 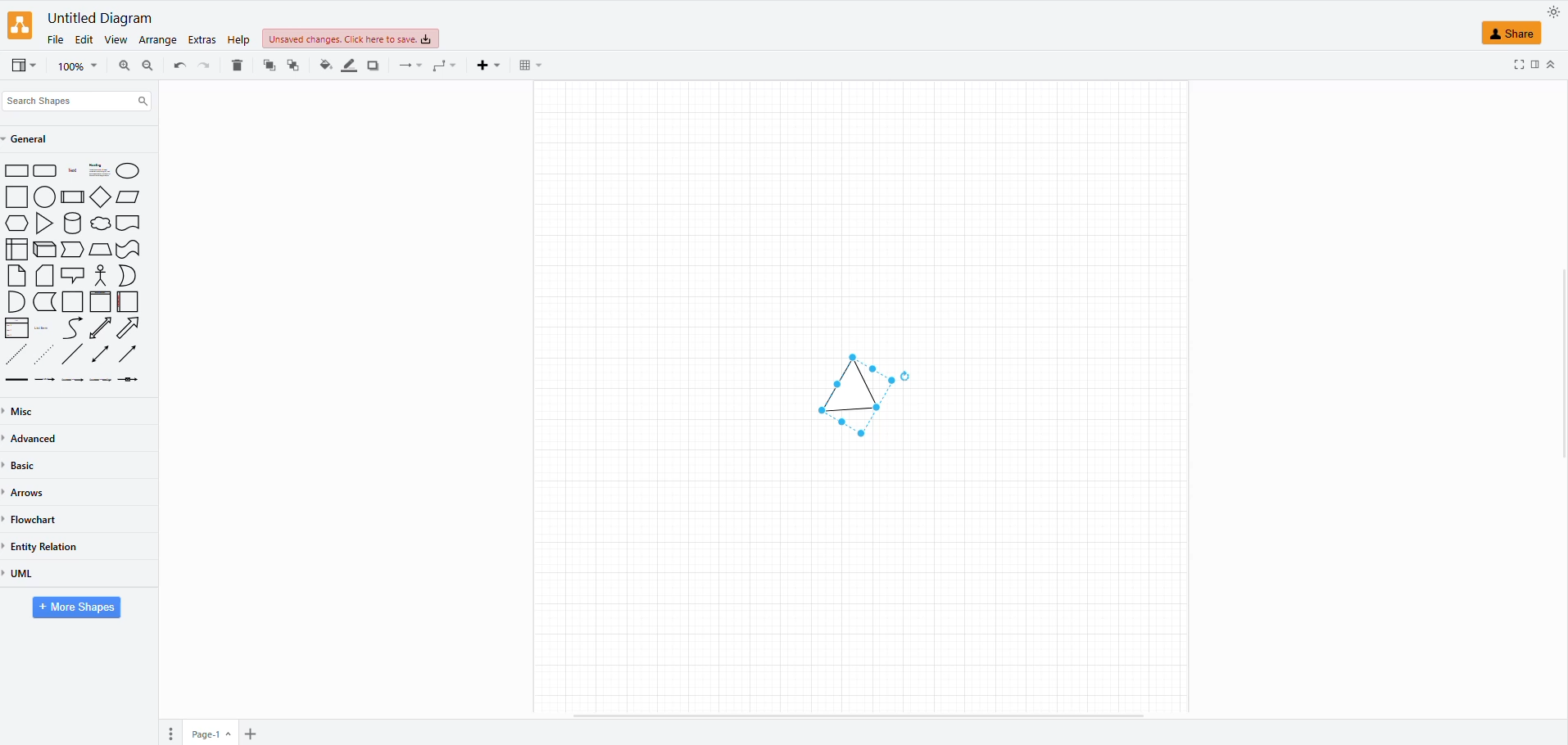 I want to click on Kite, so click(x=102, y=196).